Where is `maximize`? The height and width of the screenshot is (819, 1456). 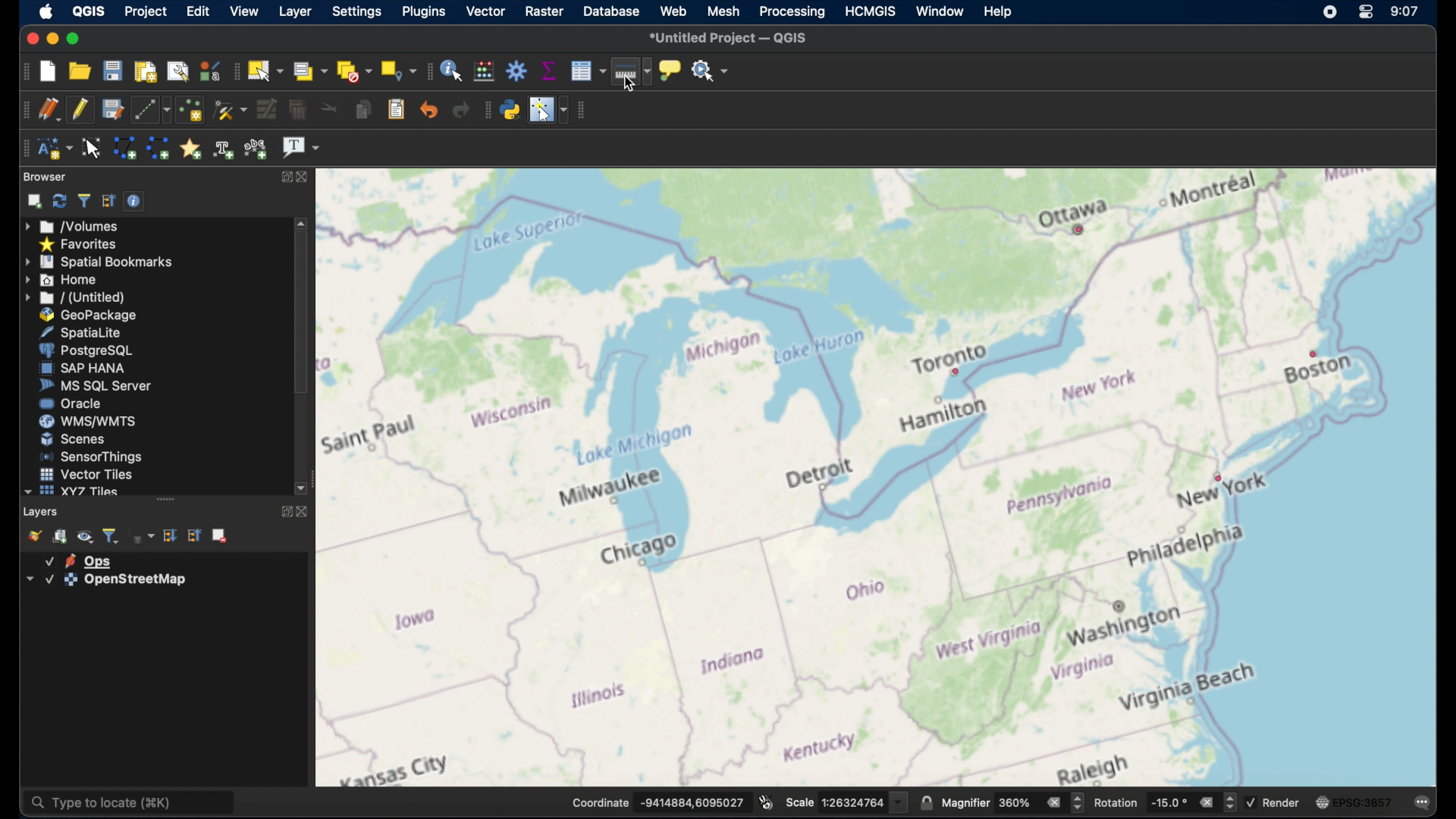 maximize is located at coordinates (73, 38).